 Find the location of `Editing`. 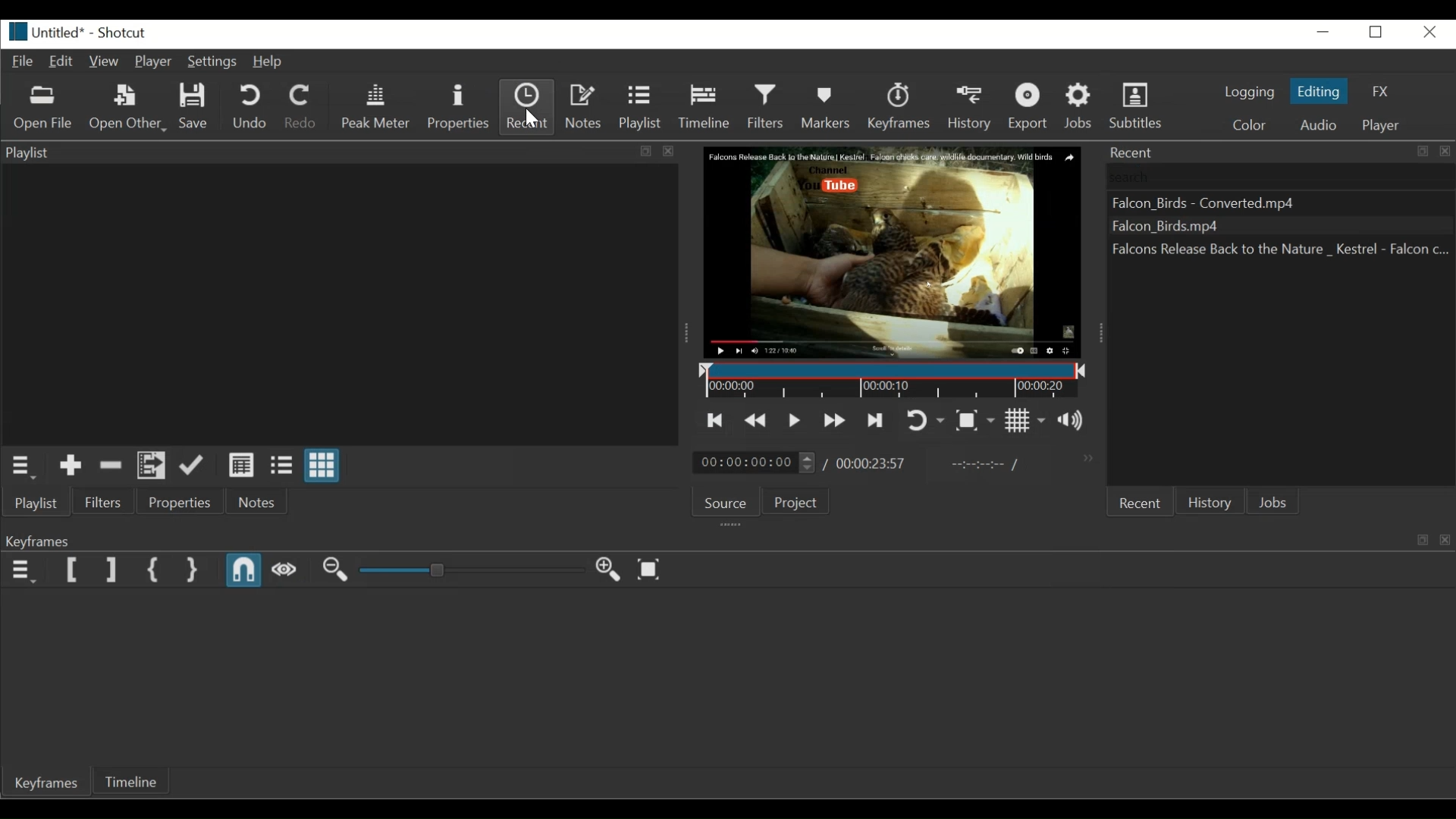

Editing is located at coordinates (1320, 92).